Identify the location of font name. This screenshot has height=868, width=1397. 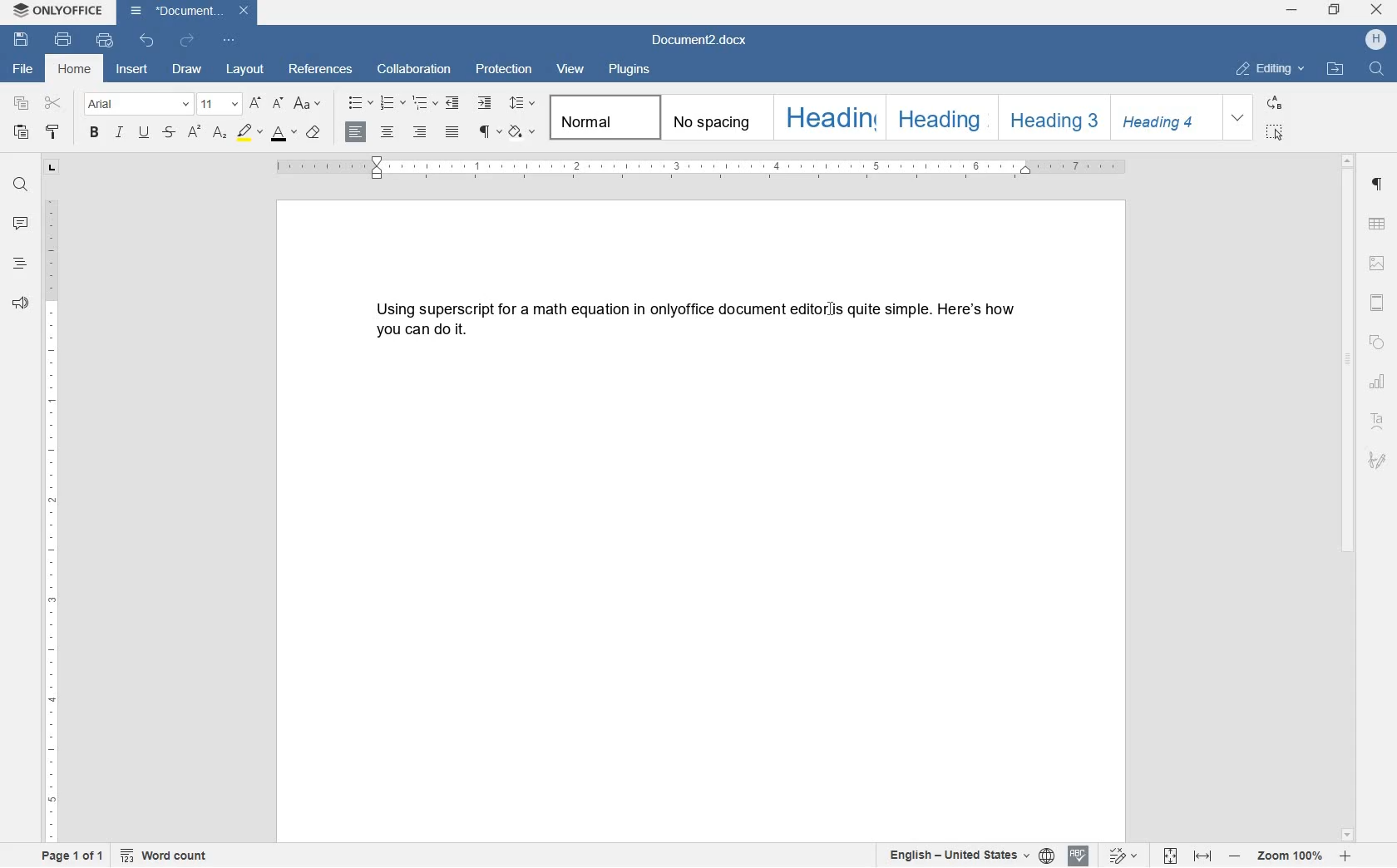
(138, 104).